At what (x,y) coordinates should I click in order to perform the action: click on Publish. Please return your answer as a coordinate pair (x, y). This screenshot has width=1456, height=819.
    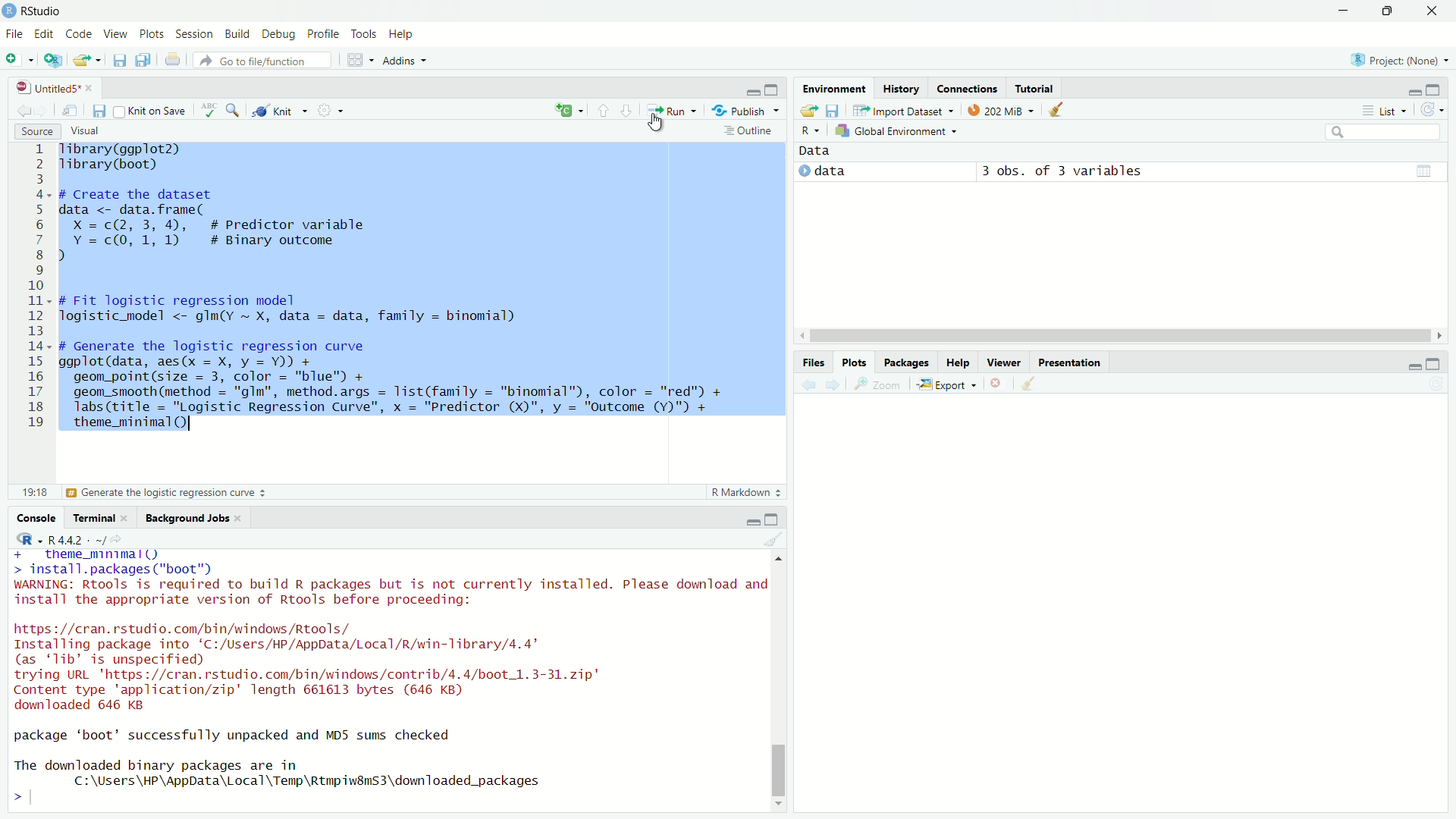
    Looking at the image, I should click on (745, 110).